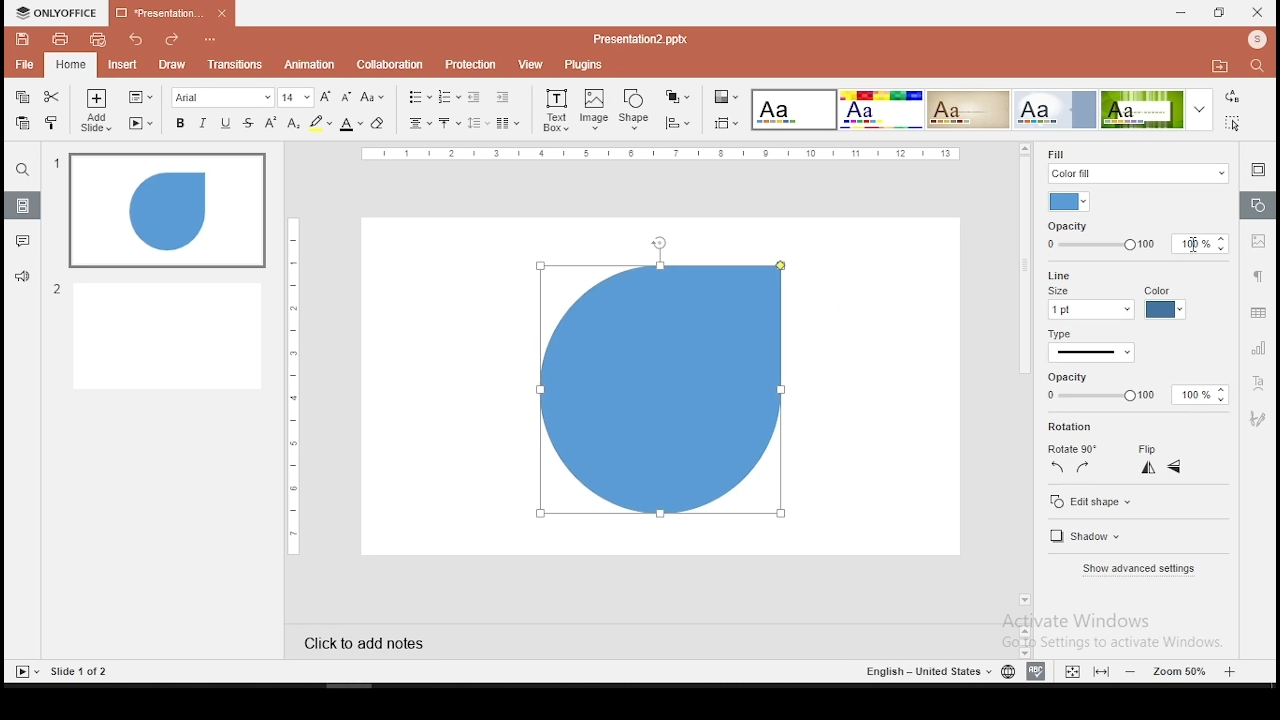  I want to click on type, so click(1060, 336).